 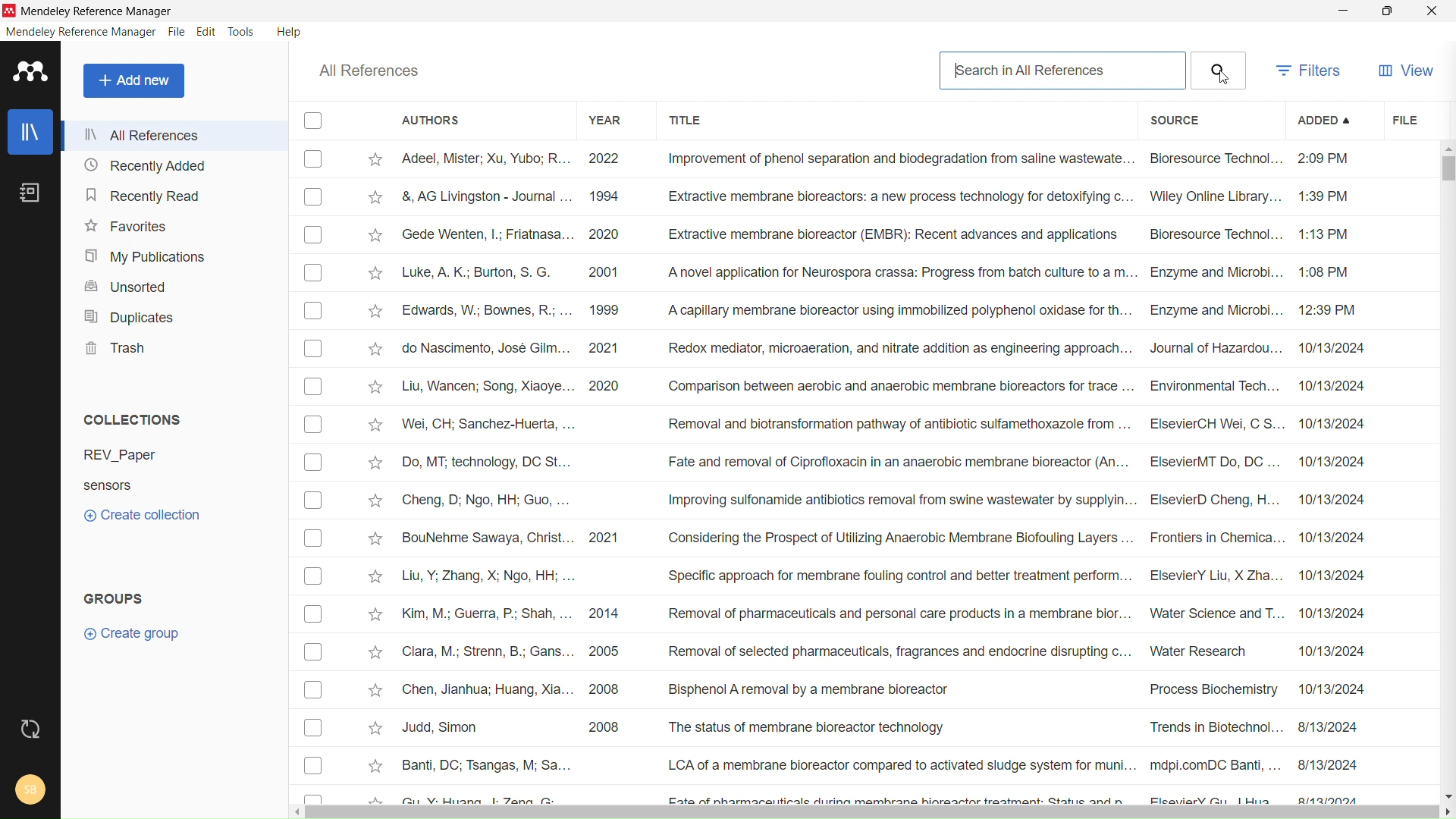 I want to click on checkbox, so click(x=313, y=120).